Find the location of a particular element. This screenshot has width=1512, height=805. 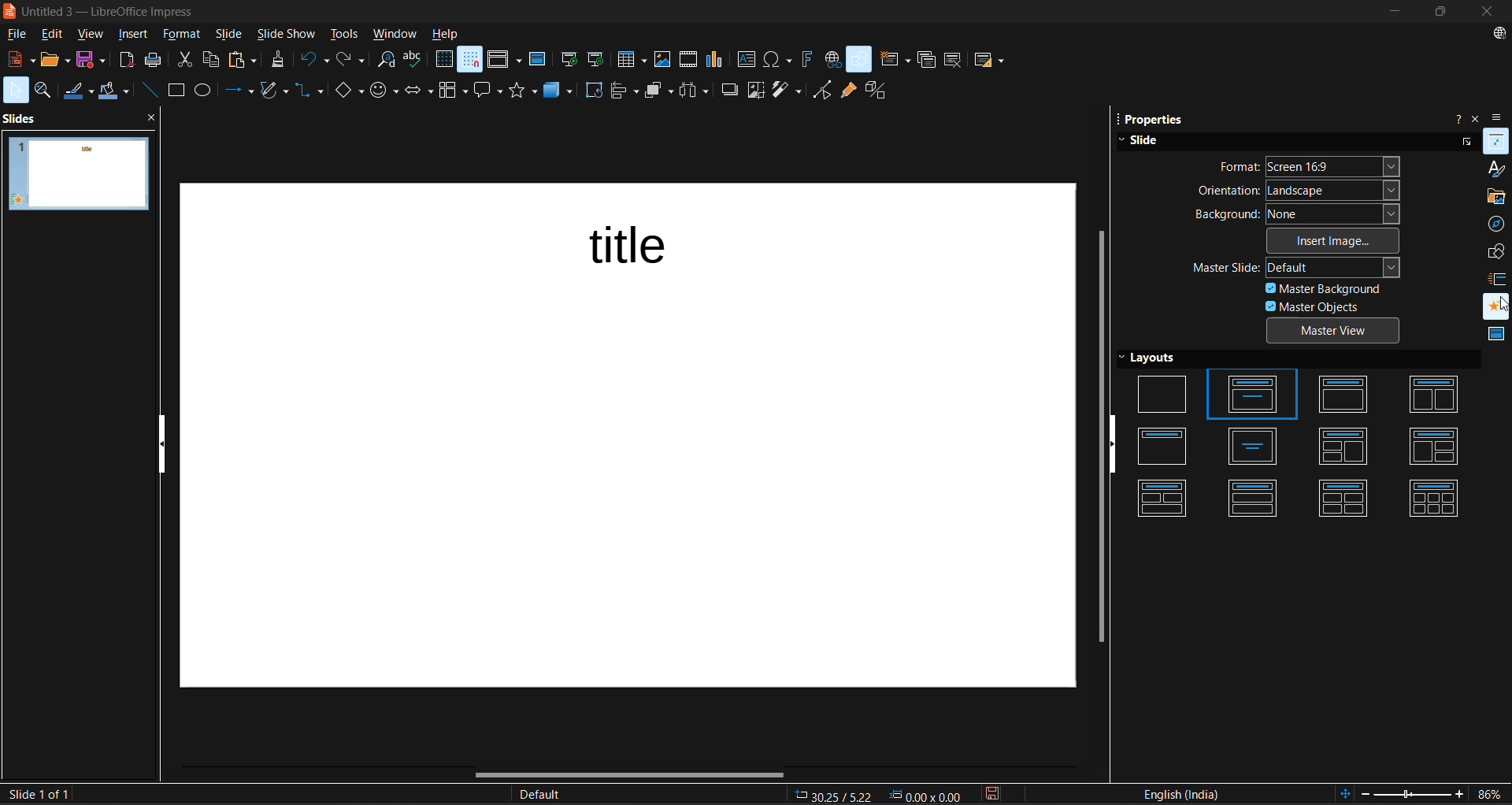

app name and file name is located at coordinates (109, 12).